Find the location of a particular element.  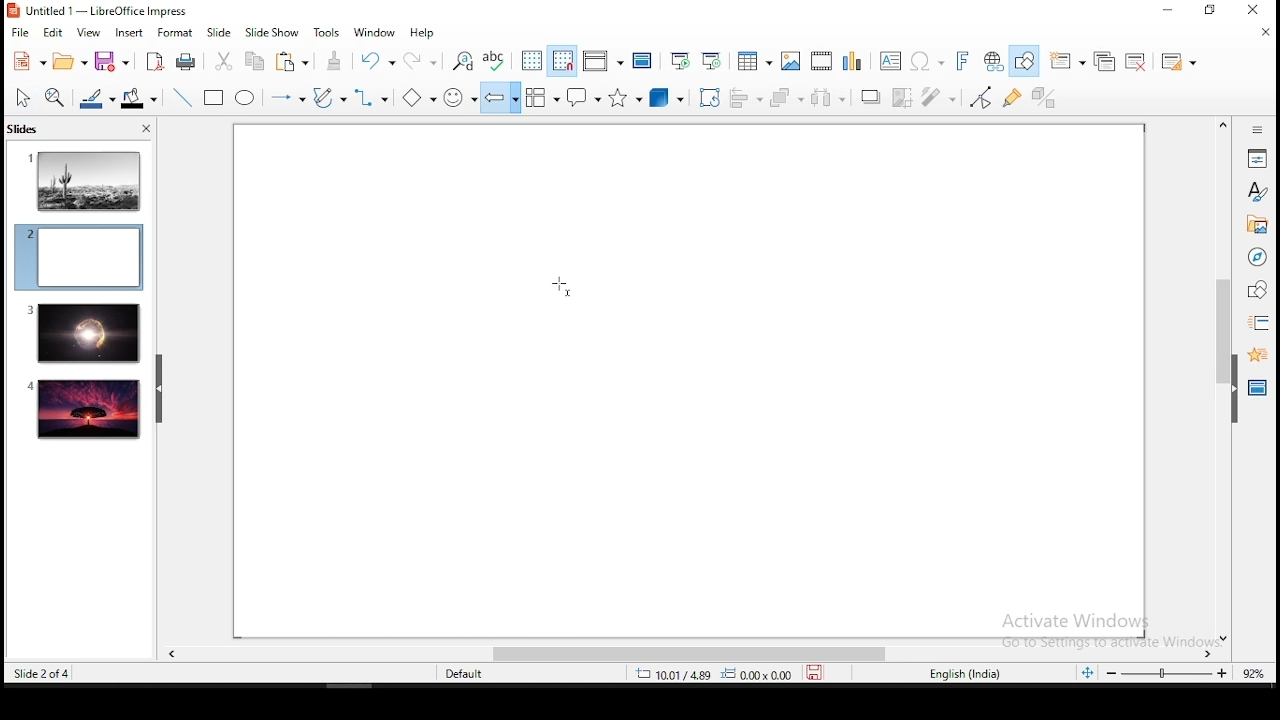

images is located at coordinates (787, 61).